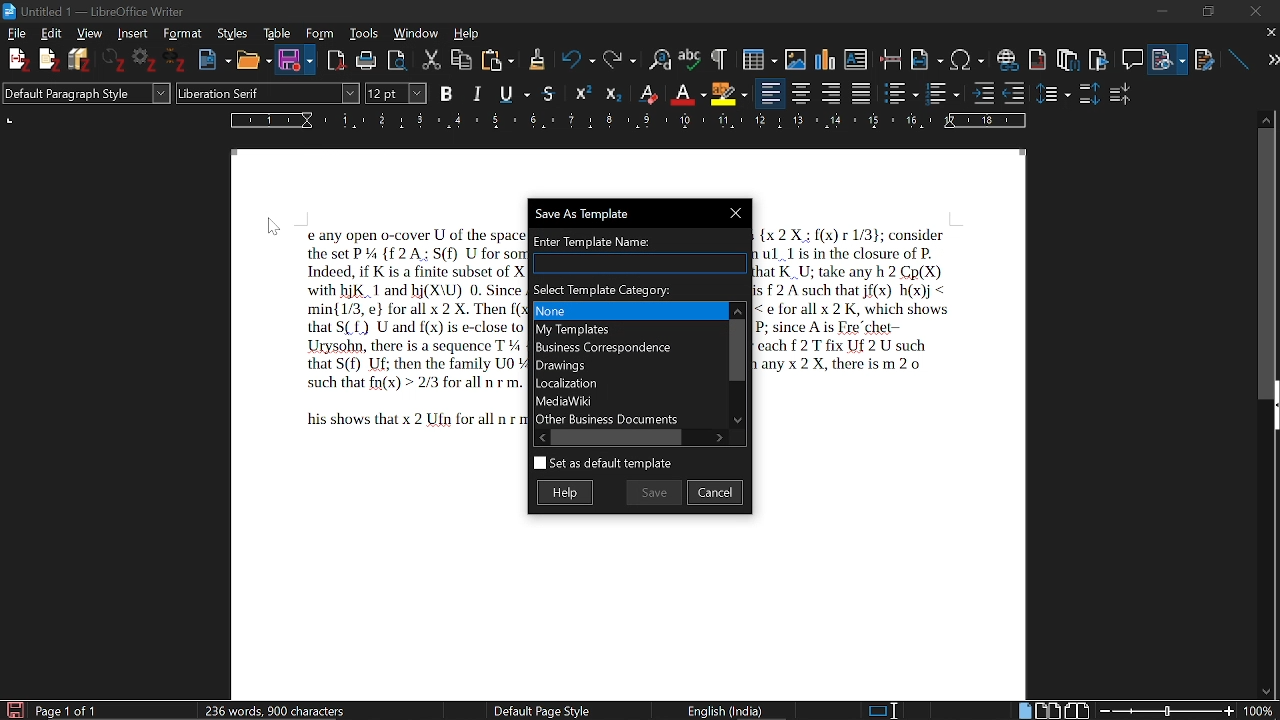 Image resolution: width=1280 pixels, height=720 pixels. Describe the element at coordinates (944, 92) in the screenshot. I see `toggle ordered lists` at that location.